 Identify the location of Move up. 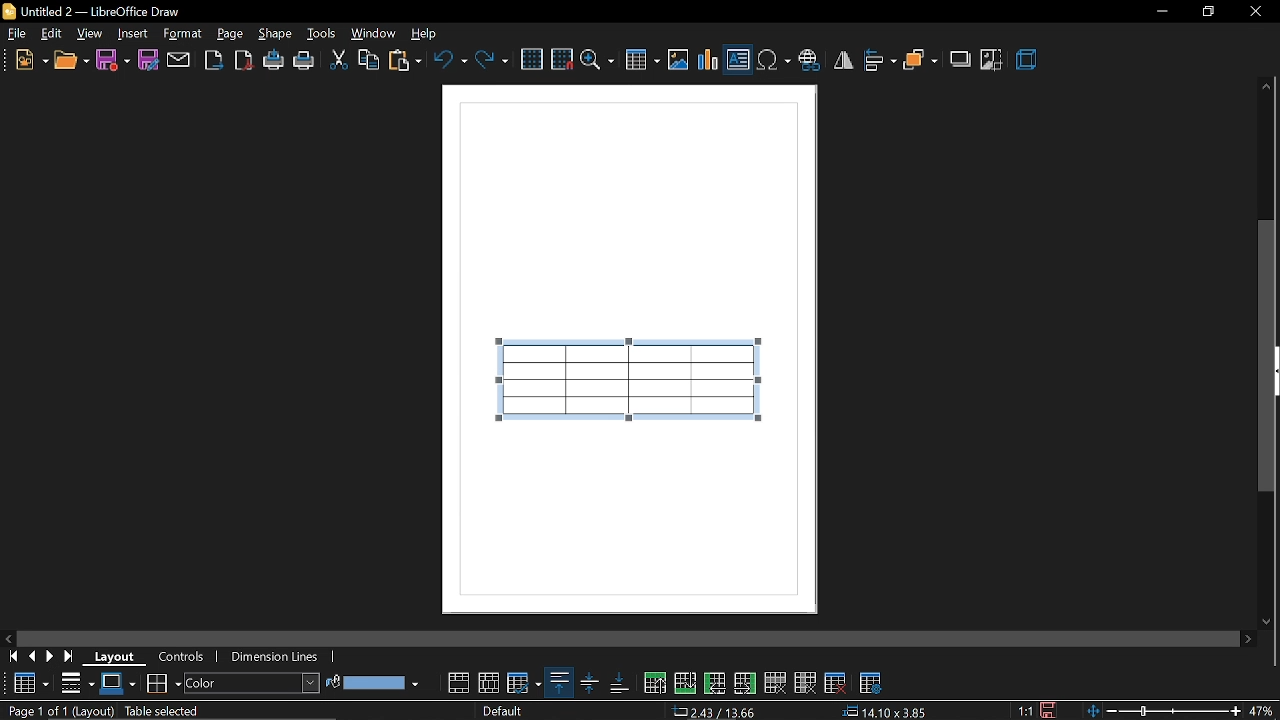
(1266, 84).